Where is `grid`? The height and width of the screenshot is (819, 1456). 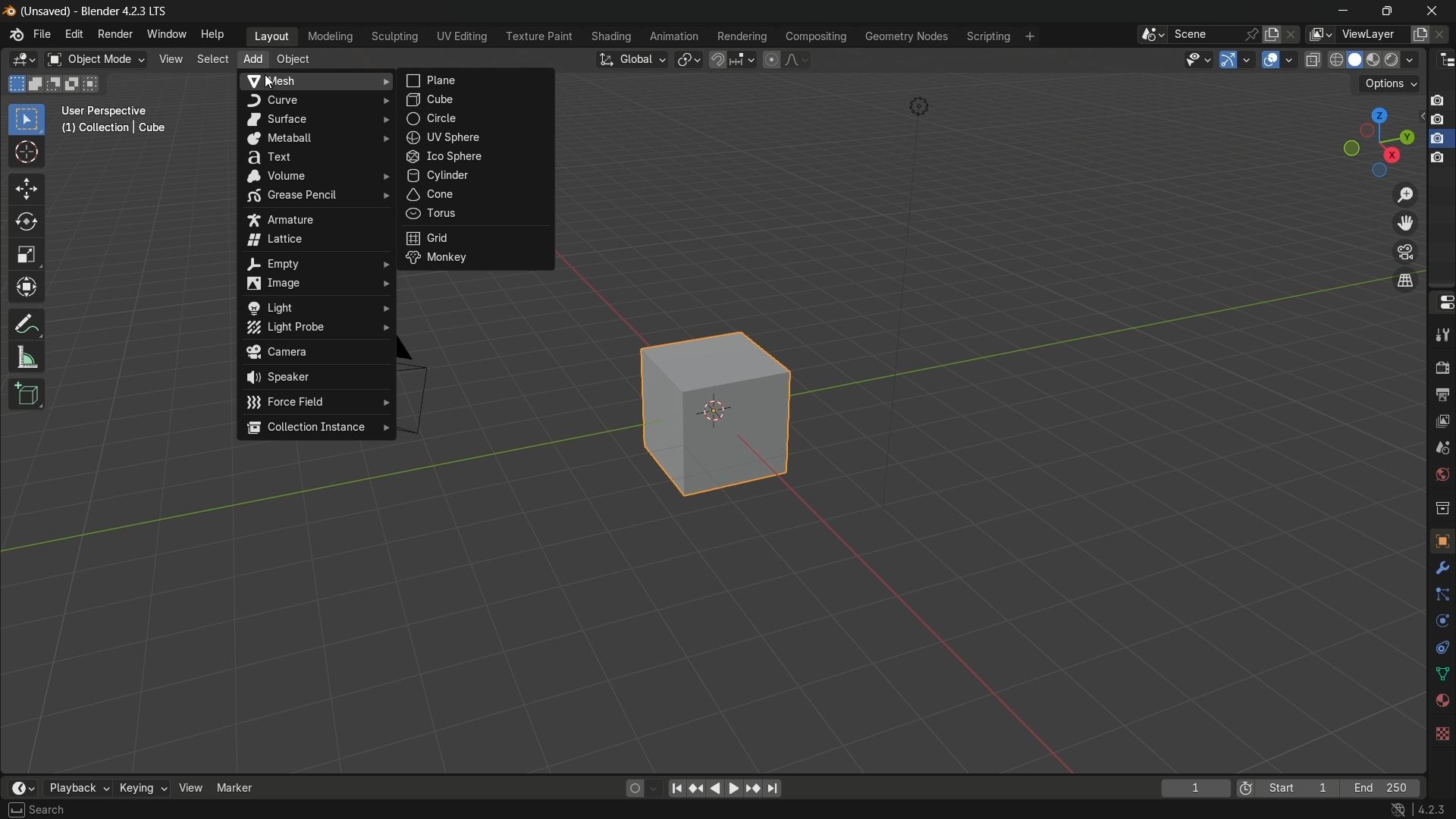 grid is located at coordinates (477, 238).